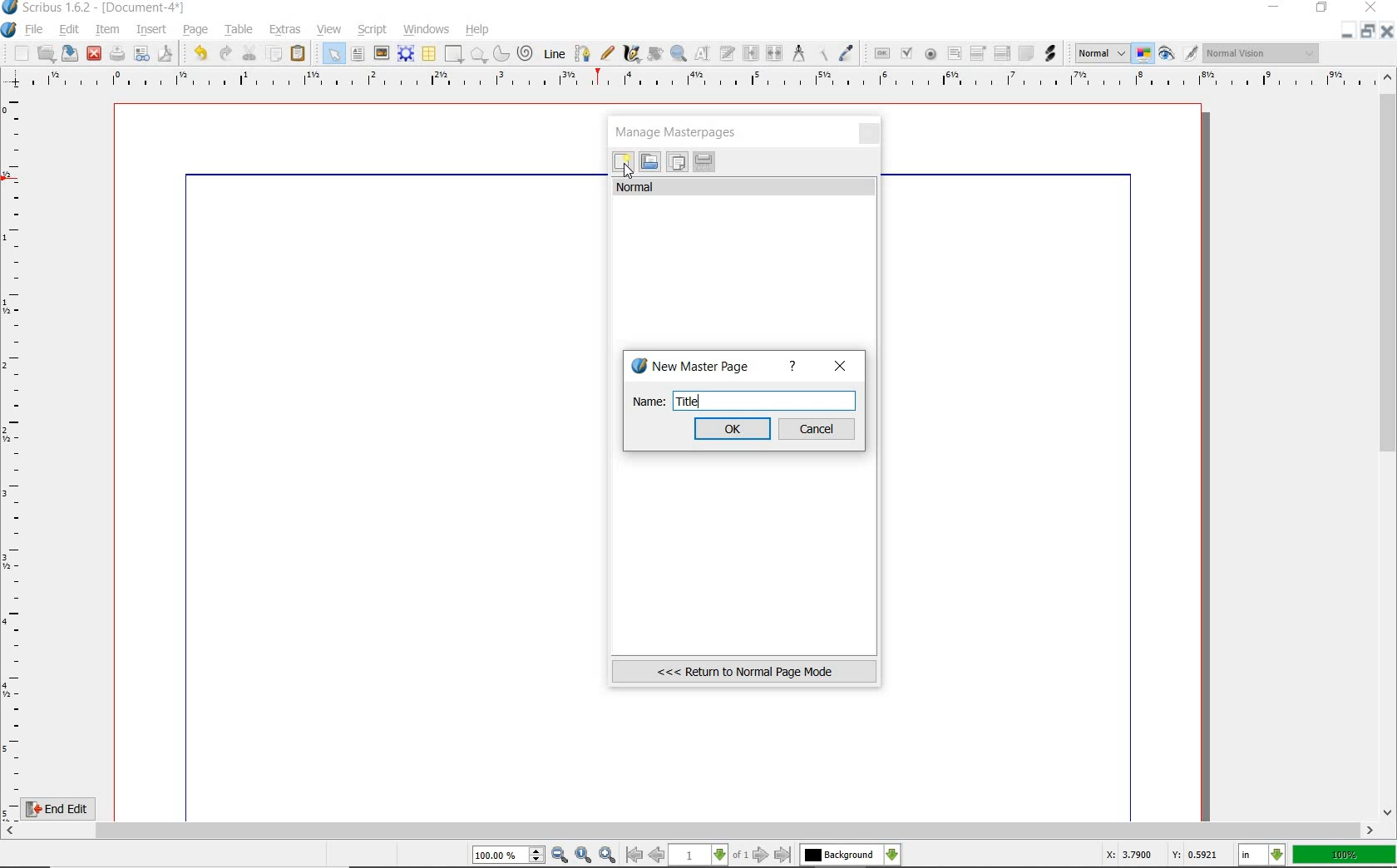 The height and width of the screenshot is (868, 1397). I want to click on go to first page, so click(634, 856).